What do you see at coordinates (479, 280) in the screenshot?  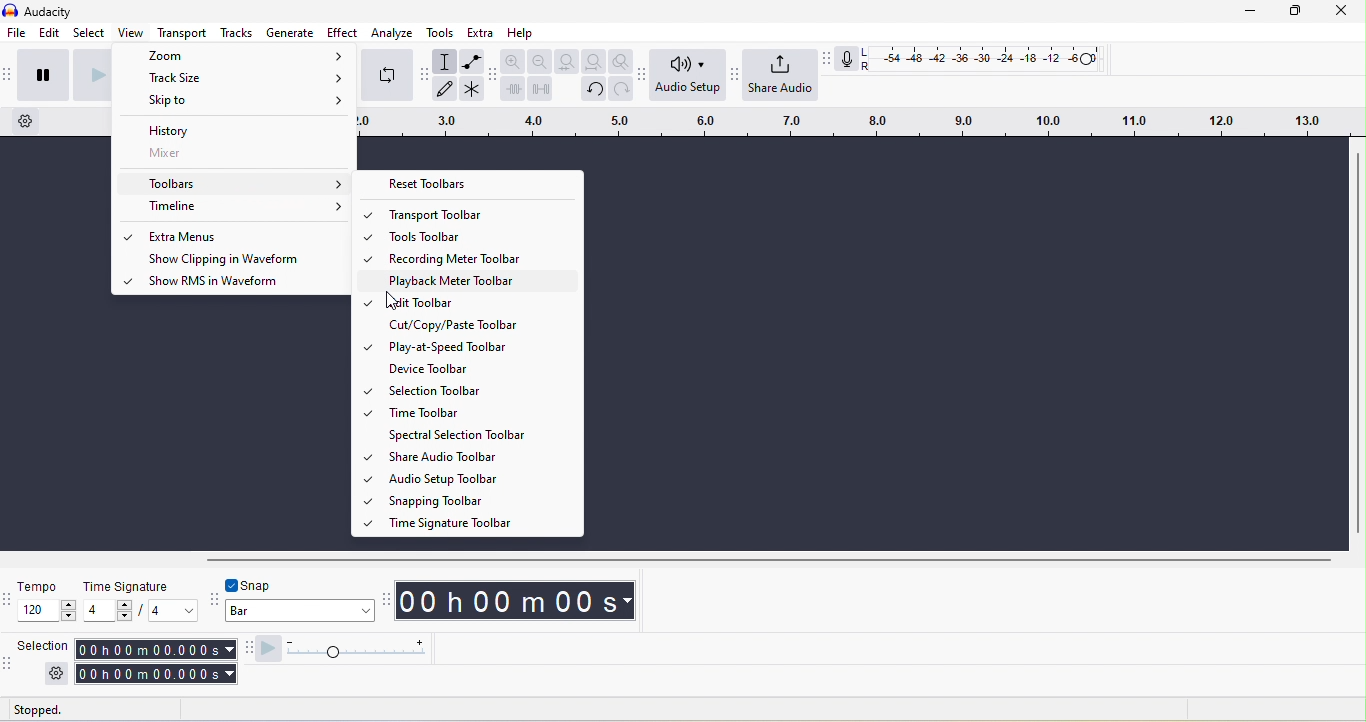 I see `Playback metre toolbar` at bounding box center [479, 280].